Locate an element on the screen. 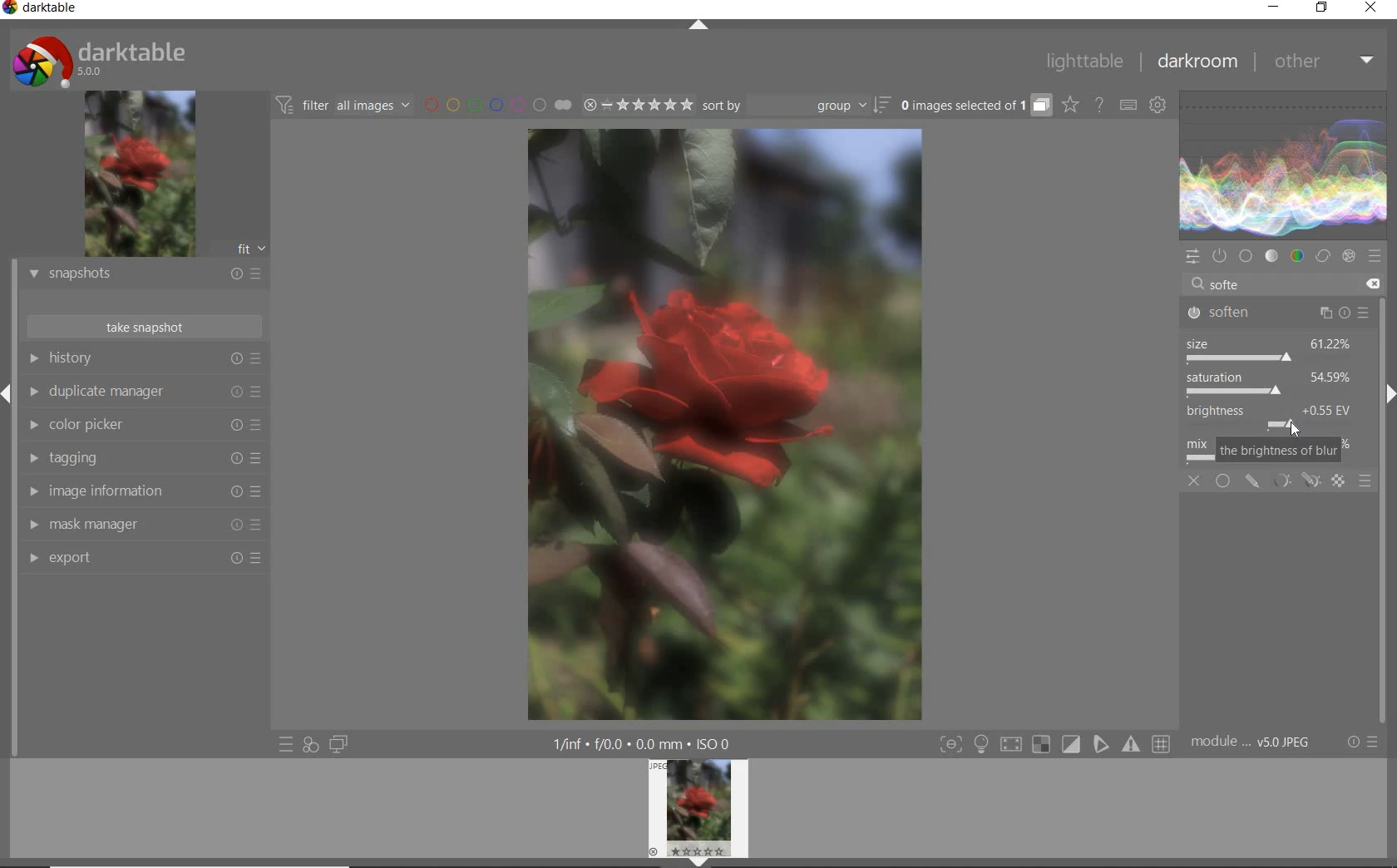  system name is located at coordinates (45, 10).